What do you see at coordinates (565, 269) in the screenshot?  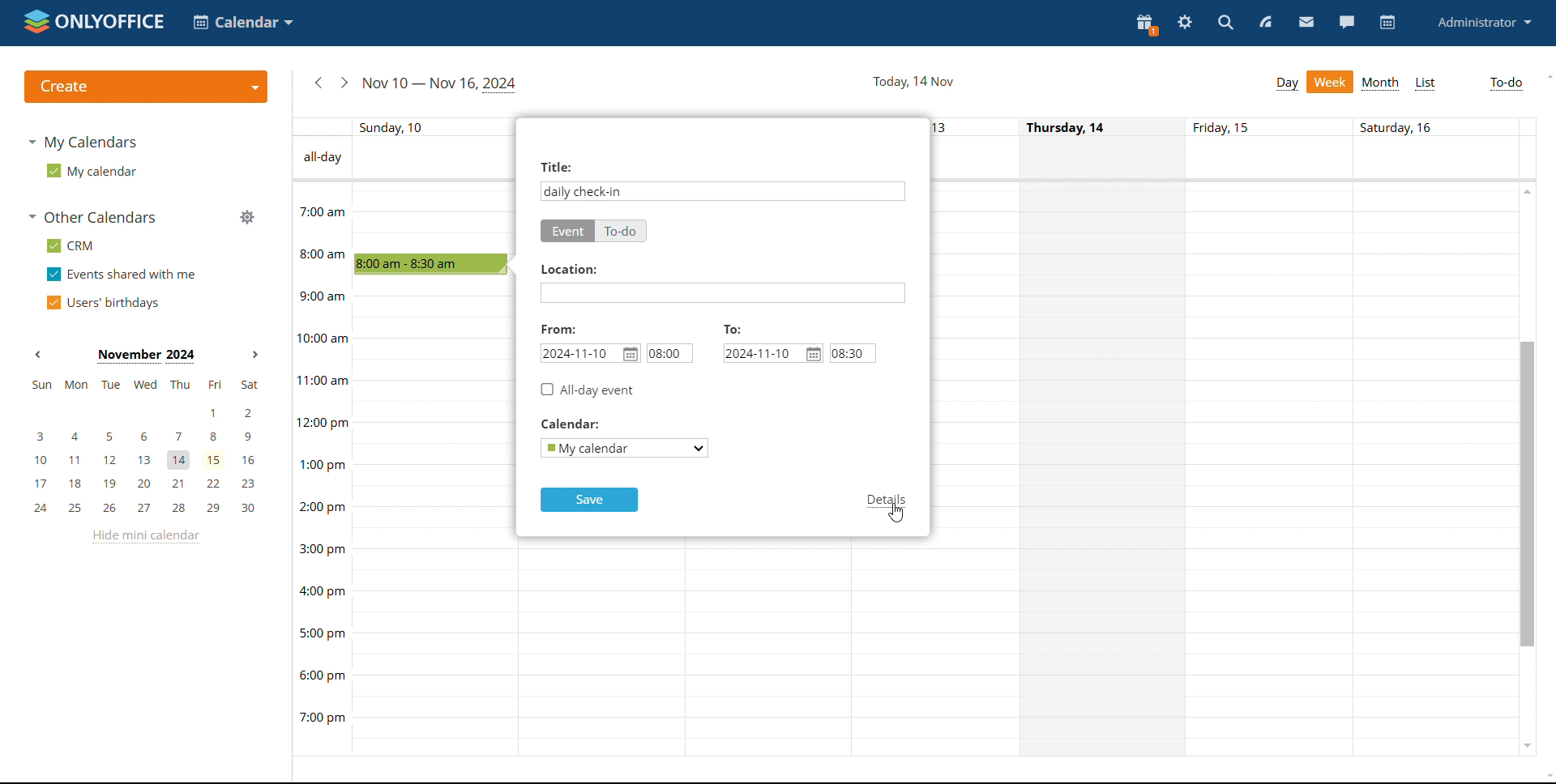 I see `location:` at bounding box center [565, 269].